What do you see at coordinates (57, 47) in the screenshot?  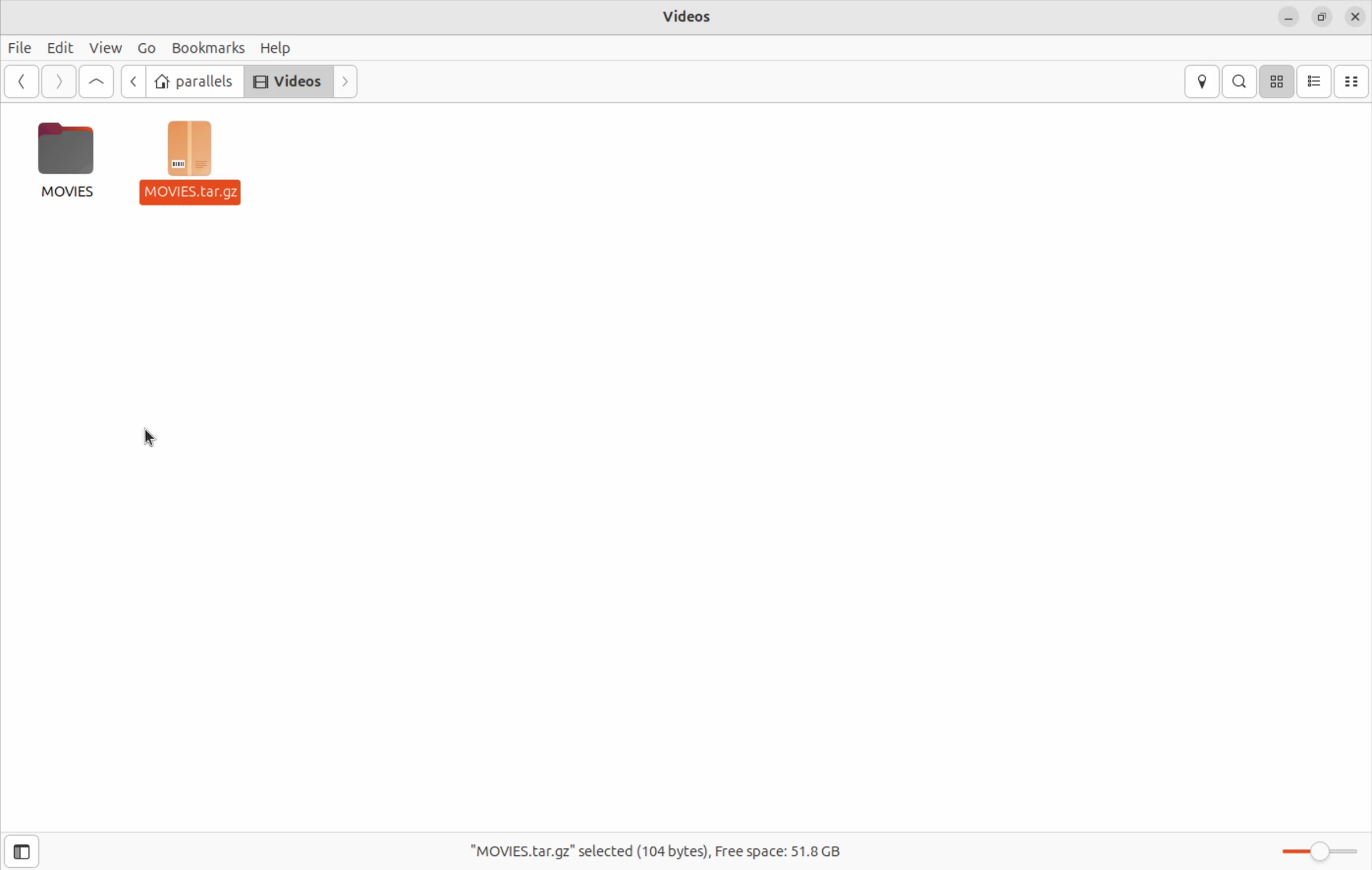 I see `Edit` at bounding box center [57, 47].